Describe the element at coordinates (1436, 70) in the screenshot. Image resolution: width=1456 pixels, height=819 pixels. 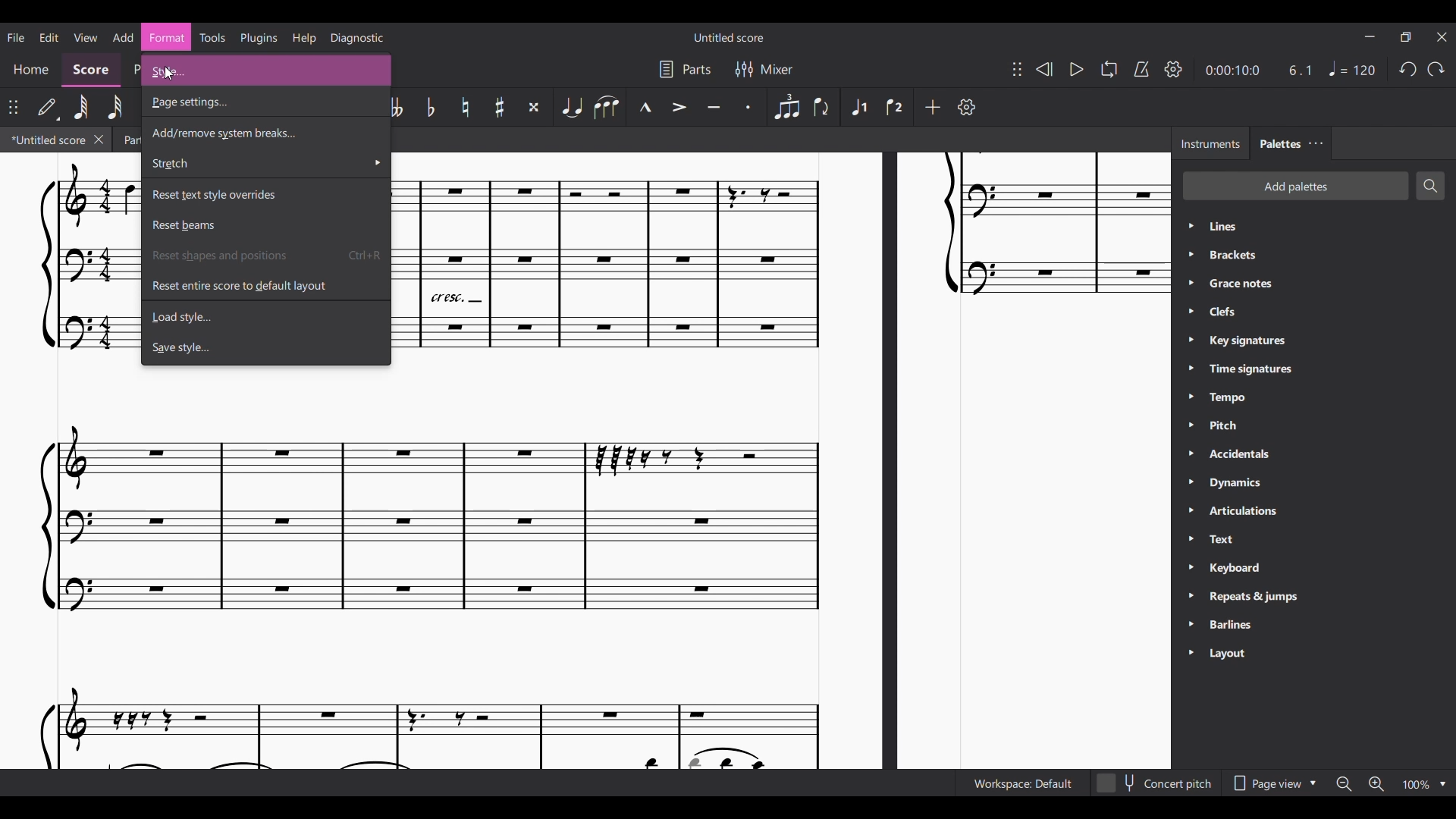
I see `Redo` at that location.